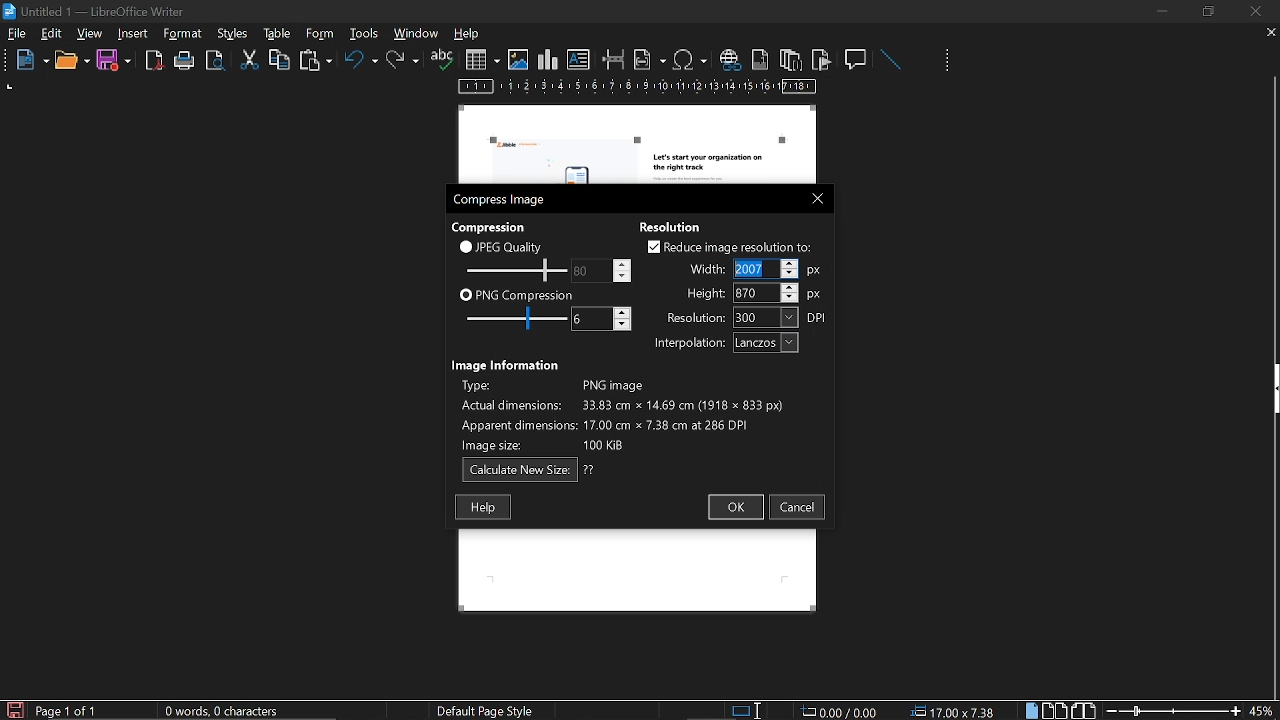 The height and width of the screenshot is (720, 1280). Describe the element at coordinates (758, 59) in the screenshot. I see `insert footnote` at that location.